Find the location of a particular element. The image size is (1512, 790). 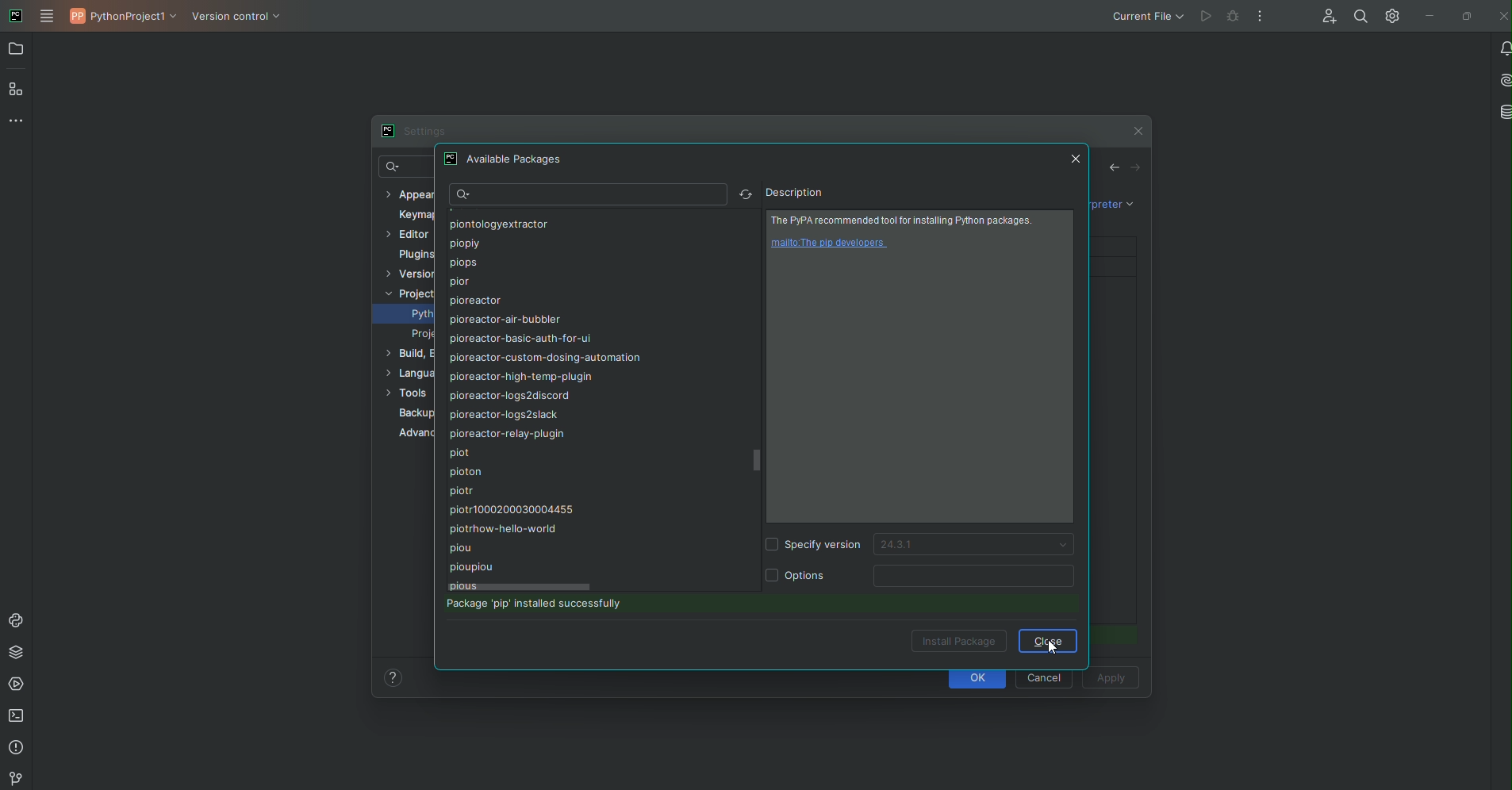

Specify version is located at coordinates (816, 546).